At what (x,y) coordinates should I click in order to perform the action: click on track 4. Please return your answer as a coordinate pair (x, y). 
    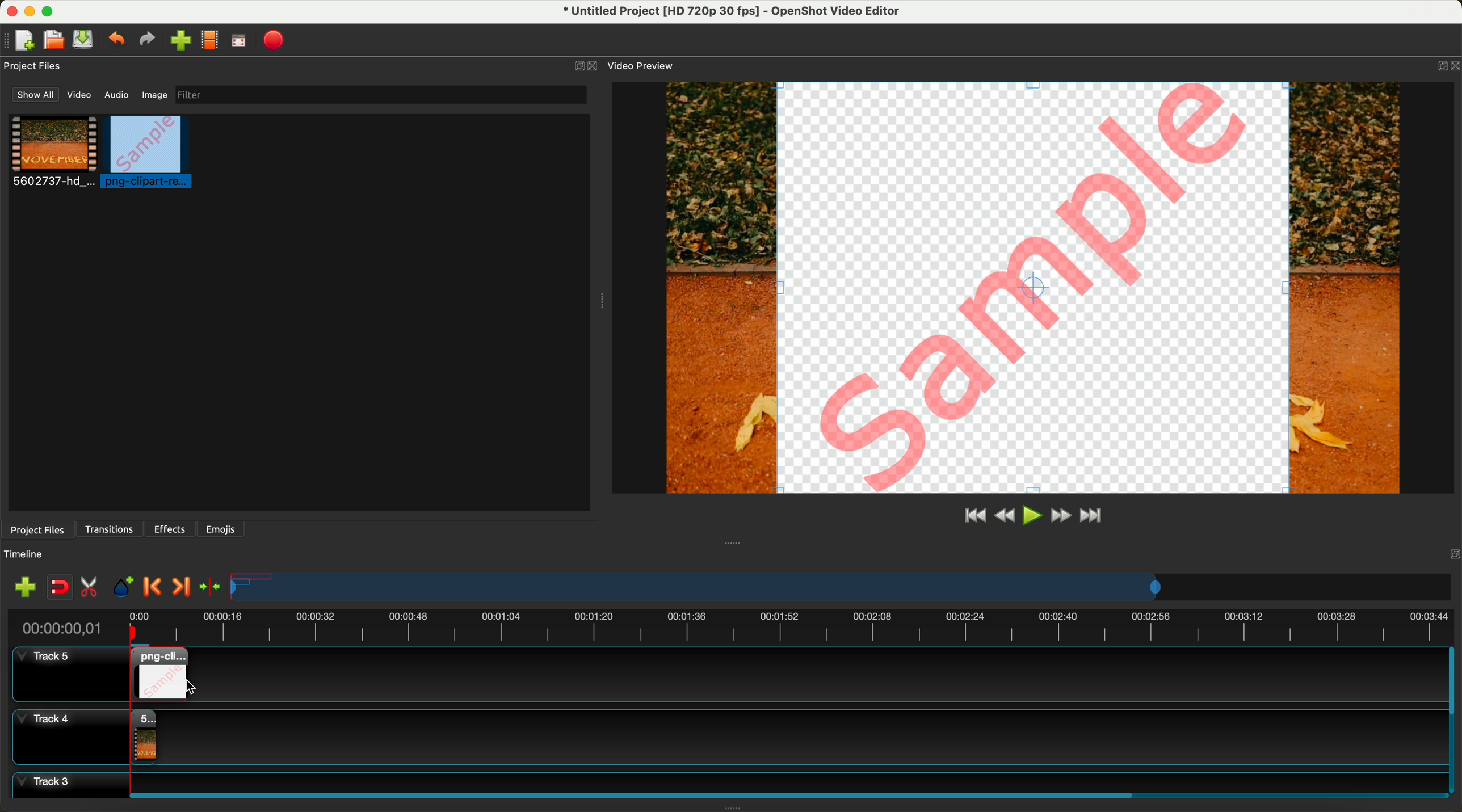
    Looking at the image, I should click on (726, 734).